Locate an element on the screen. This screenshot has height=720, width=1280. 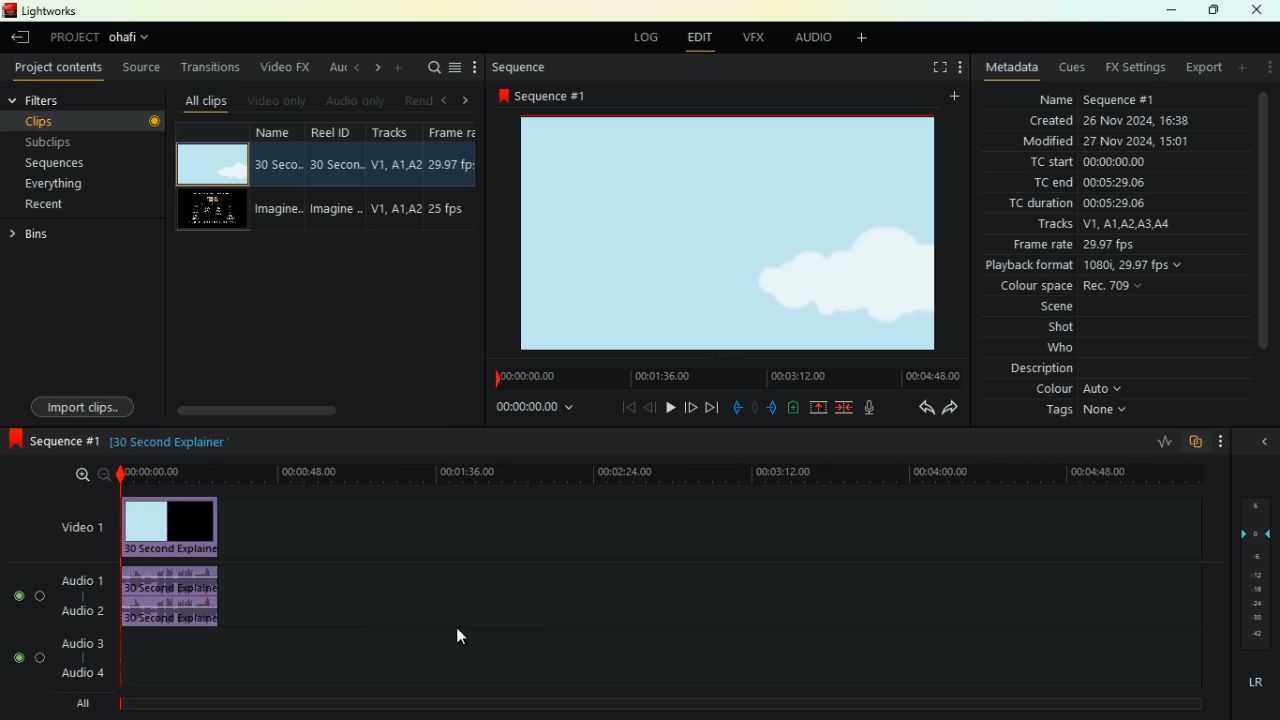
timeline is located at coordinates (666, 473).